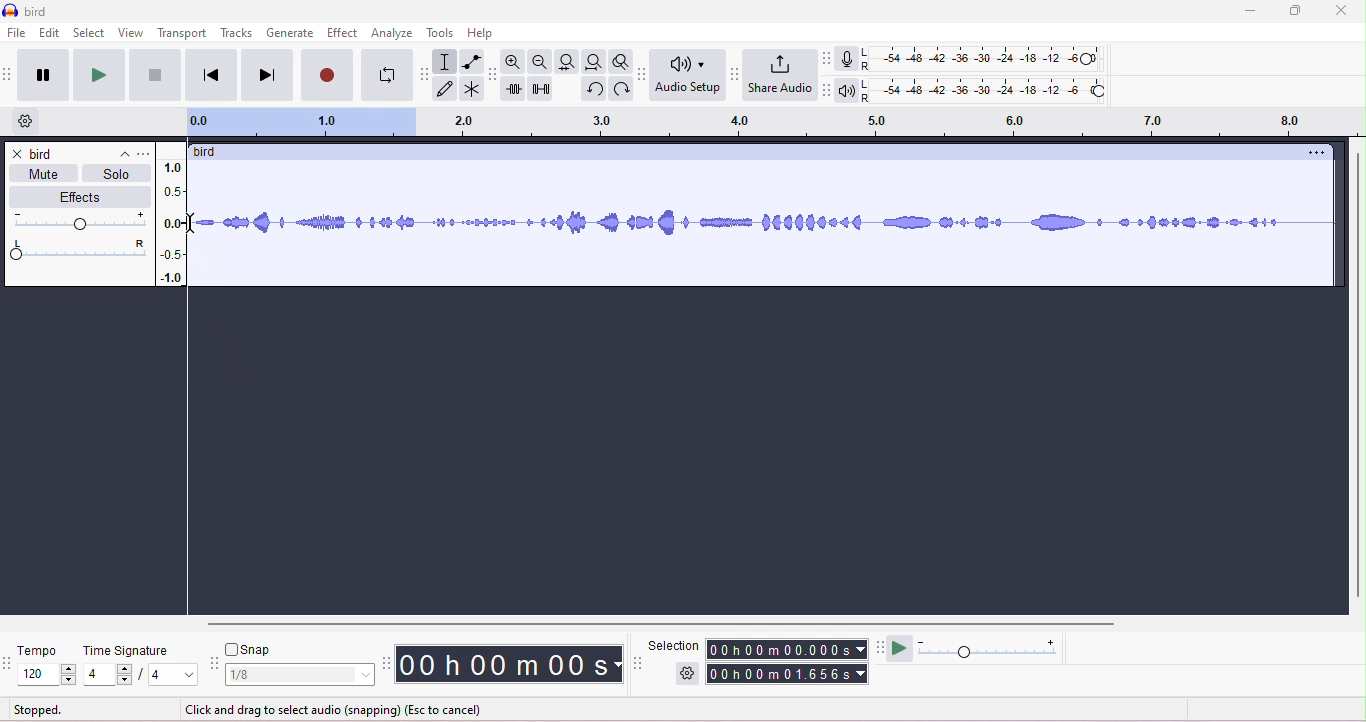 The image size is (1366, 722). Describe the element at coordinates (854, 88) in the screenshot. I see `playback meter` at that location.